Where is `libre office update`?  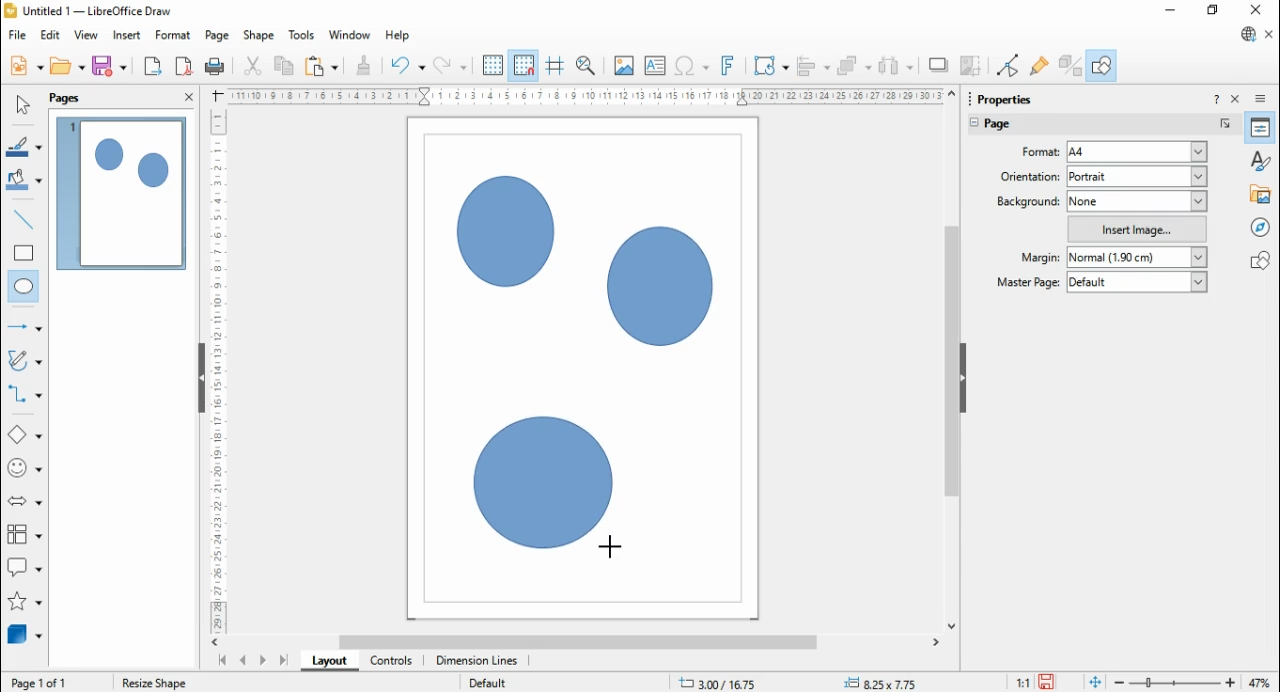
libre office update is located at coordinates (1247, 34).